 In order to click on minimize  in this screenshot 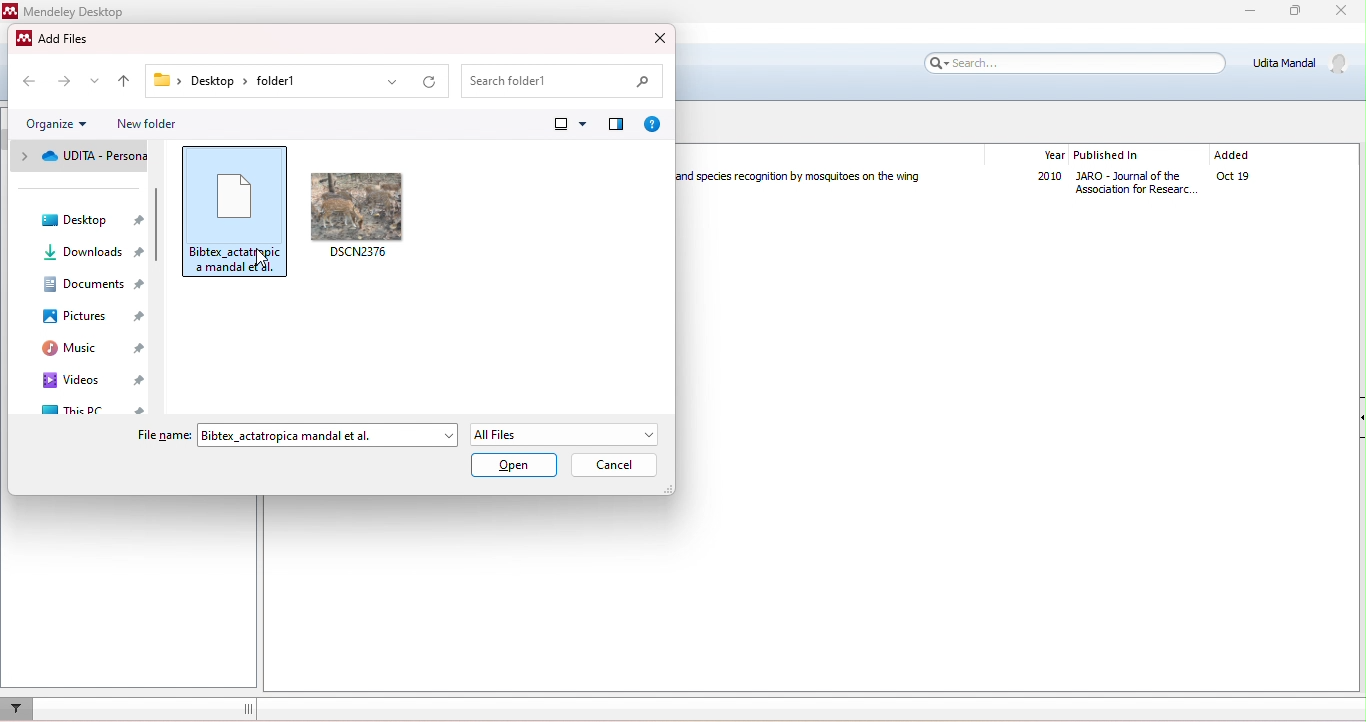, I will do `click(1248, 12)`.